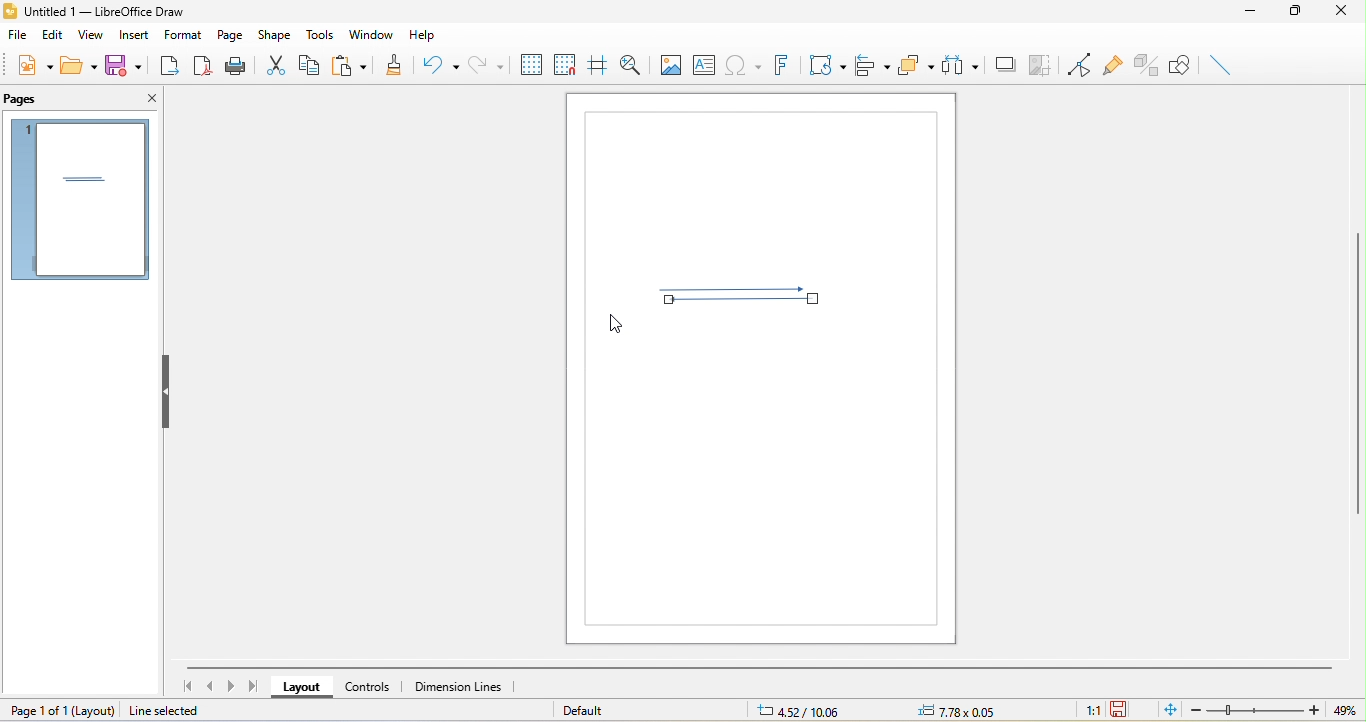  I want to click on export, so click(172, 68).